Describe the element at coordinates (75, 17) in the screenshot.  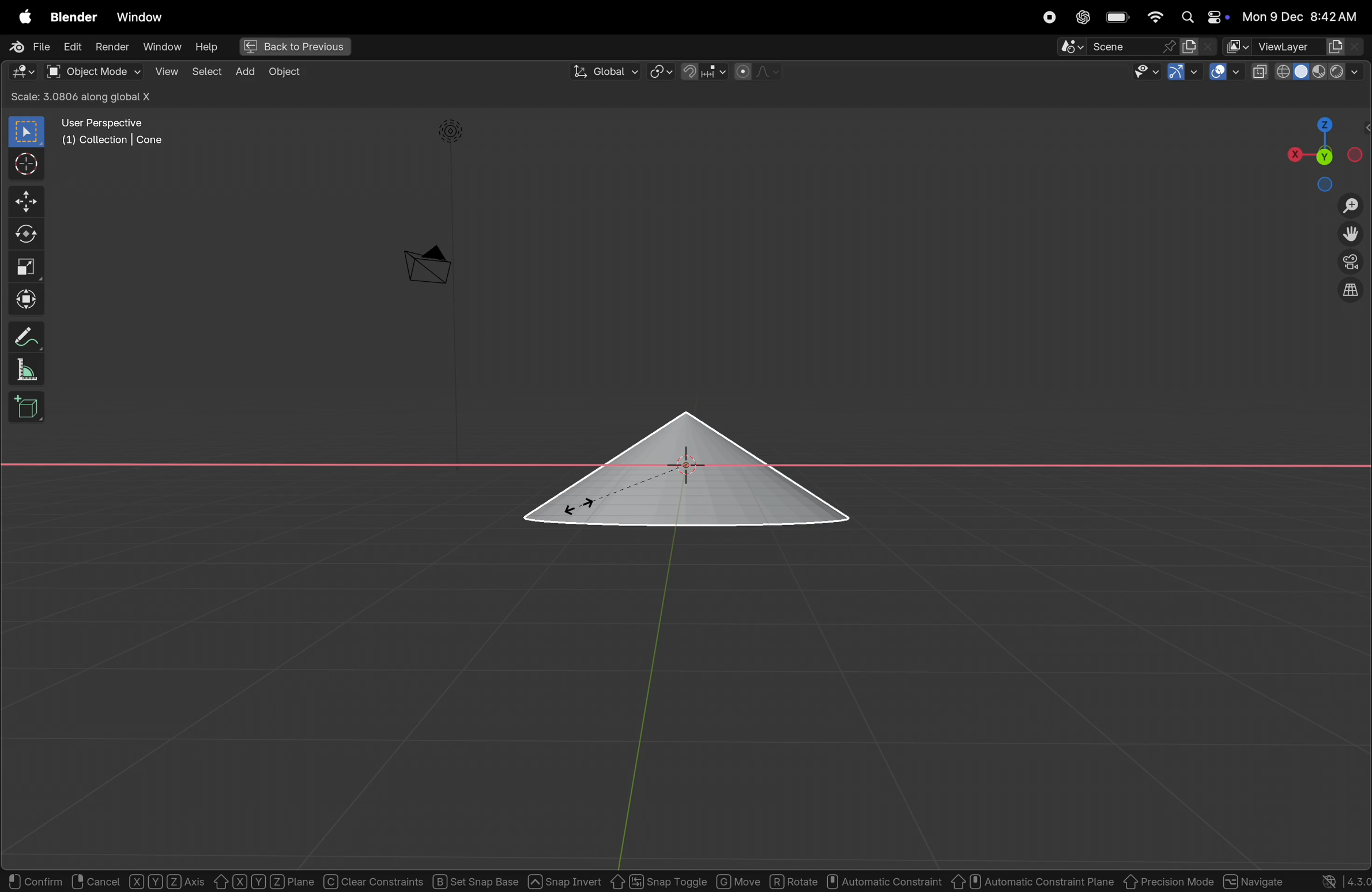
I see `Blender` at that location.